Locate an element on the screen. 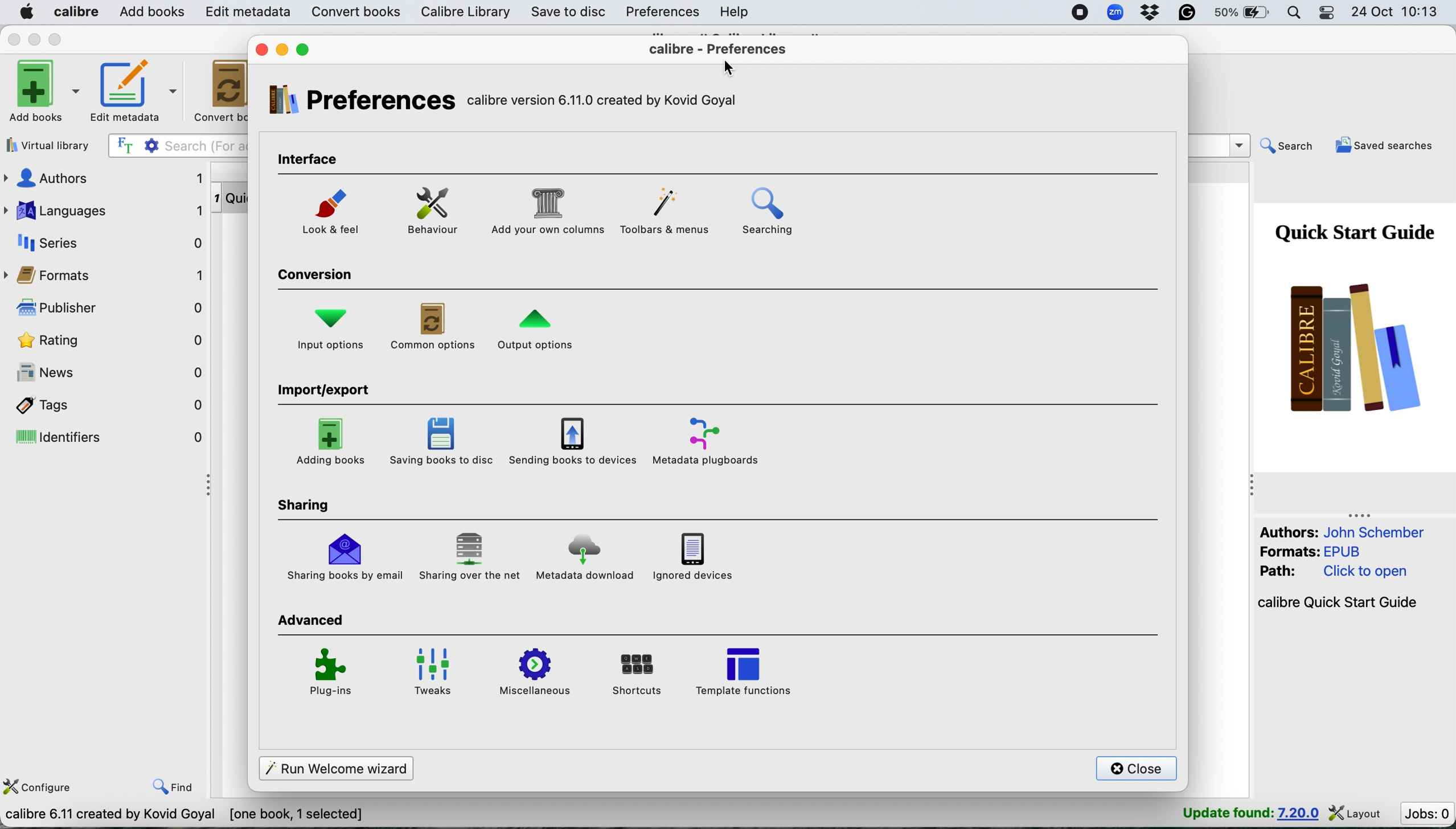 The image size is (1456, 829). close is located at coordinates (1138, 768).